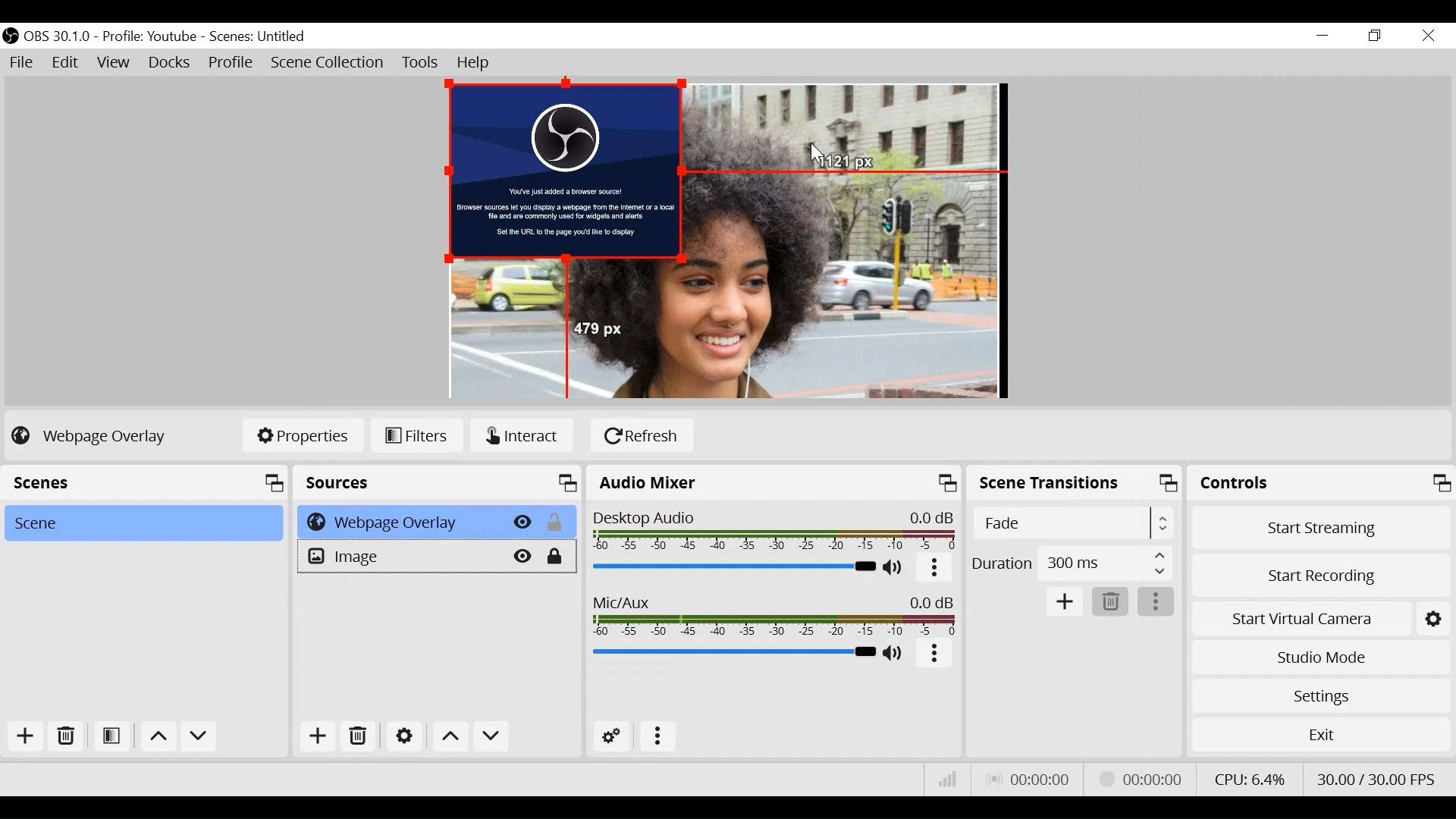  Describe the element at coordinates (1040, 779) in the screenshot. I see `Live Status` at that location.